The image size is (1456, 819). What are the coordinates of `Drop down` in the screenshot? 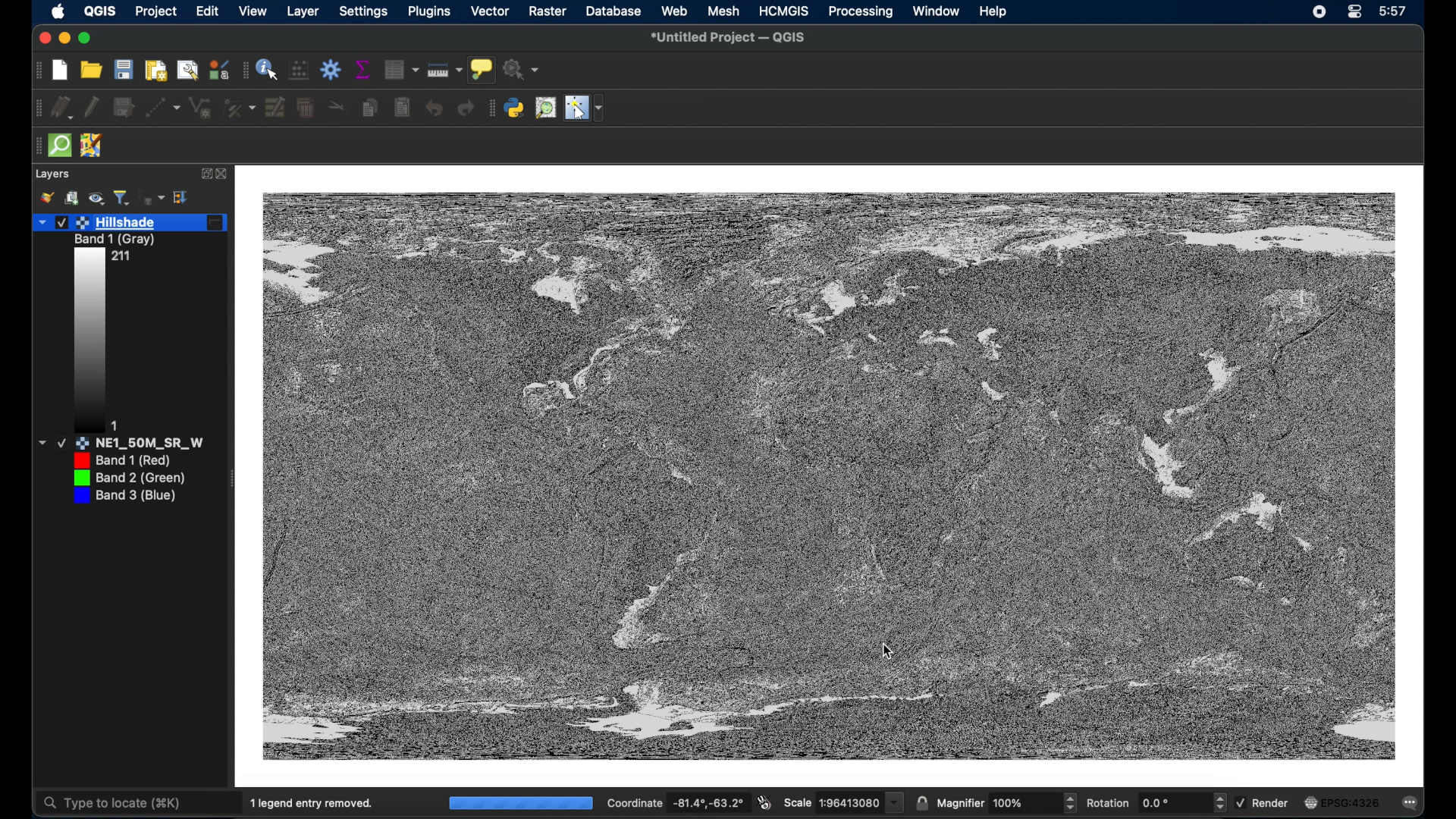 It's located at (43, 443).